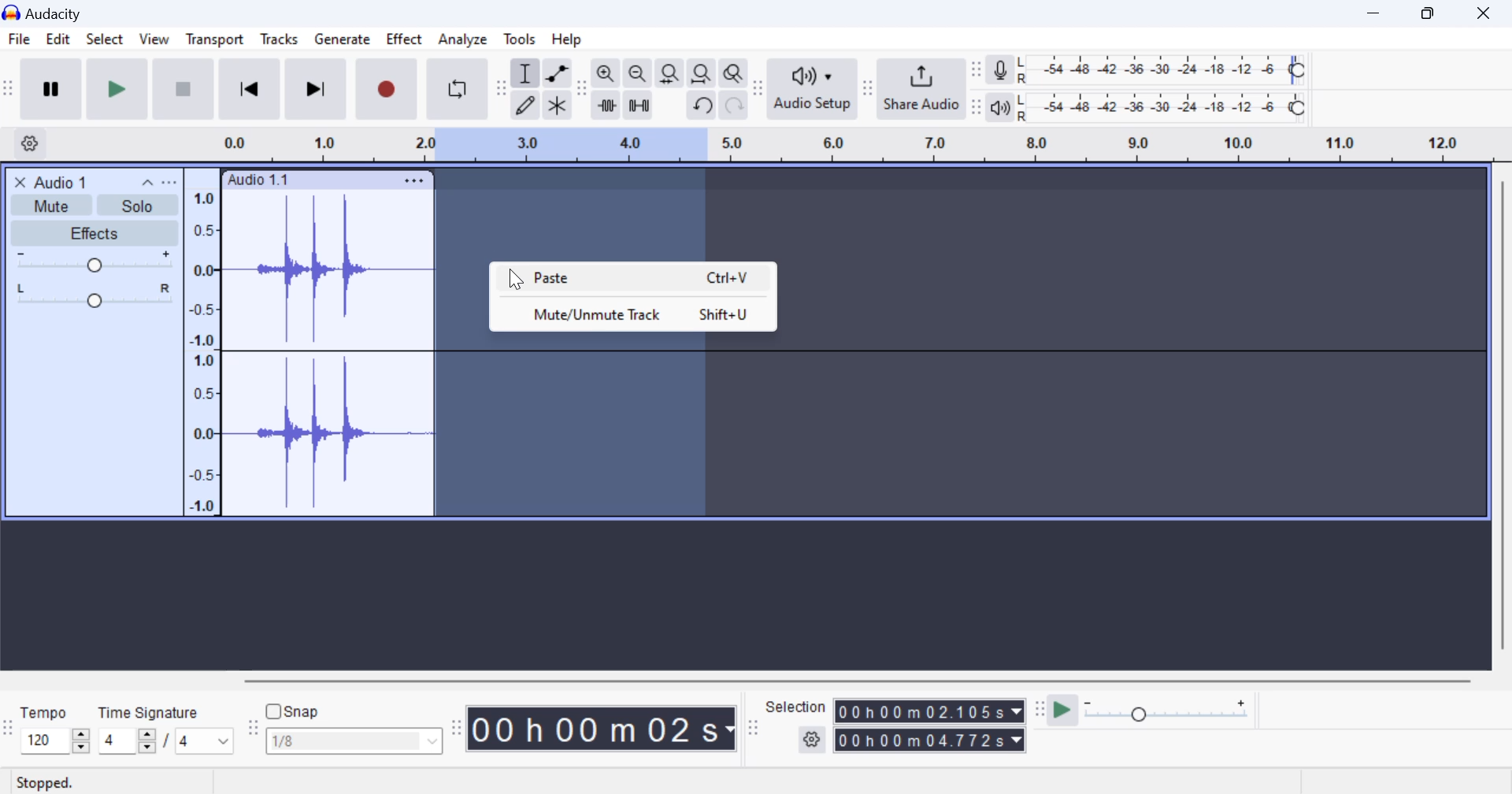  What do you see at coordinates (1432, 12) in the screenshot?
I see `Minimize` at bounding box center [1432, 12].